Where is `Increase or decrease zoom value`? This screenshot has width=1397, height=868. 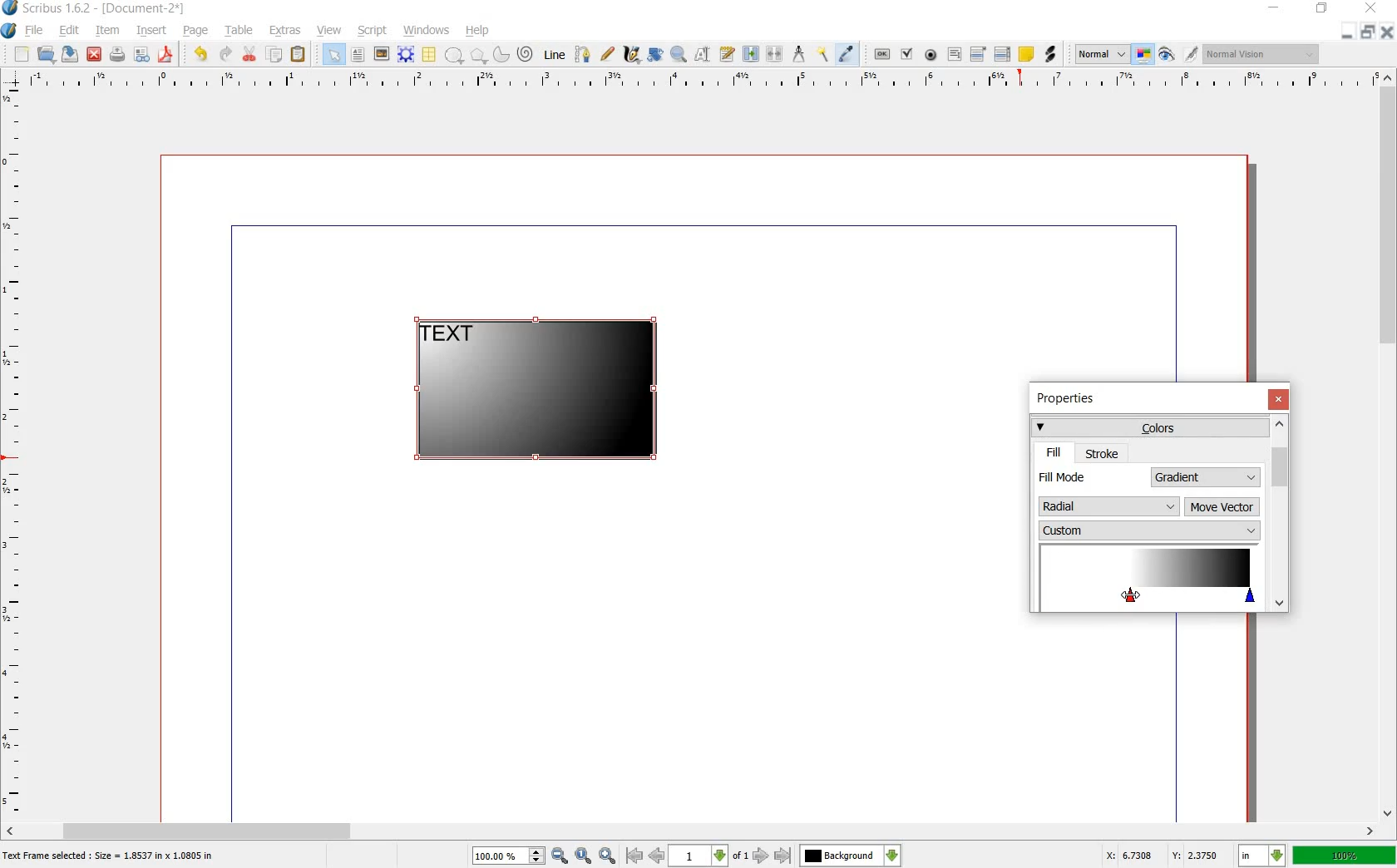
Increase or decrease zoom value is located at coordinates (537, 856).